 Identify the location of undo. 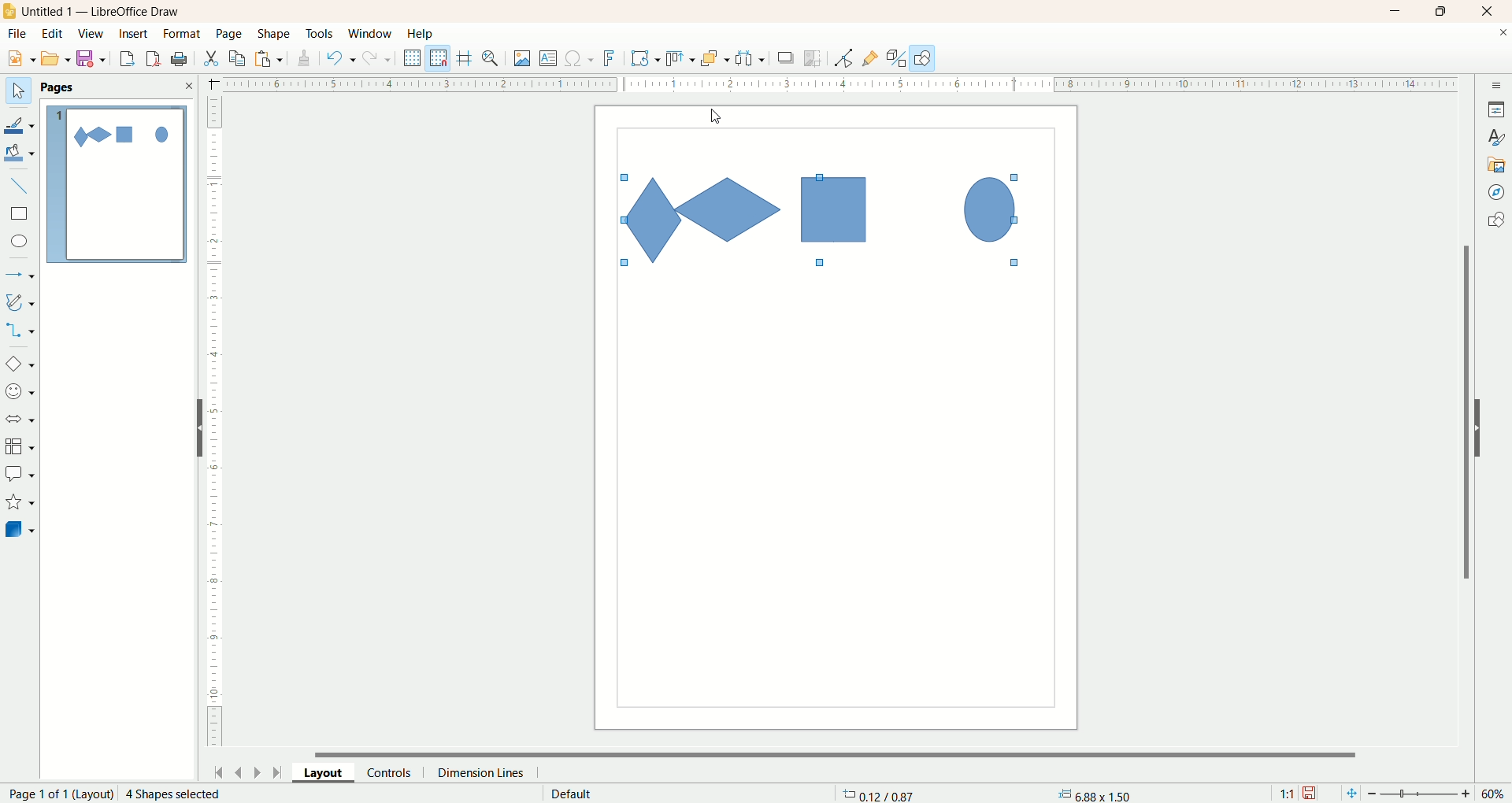
(341, 58).